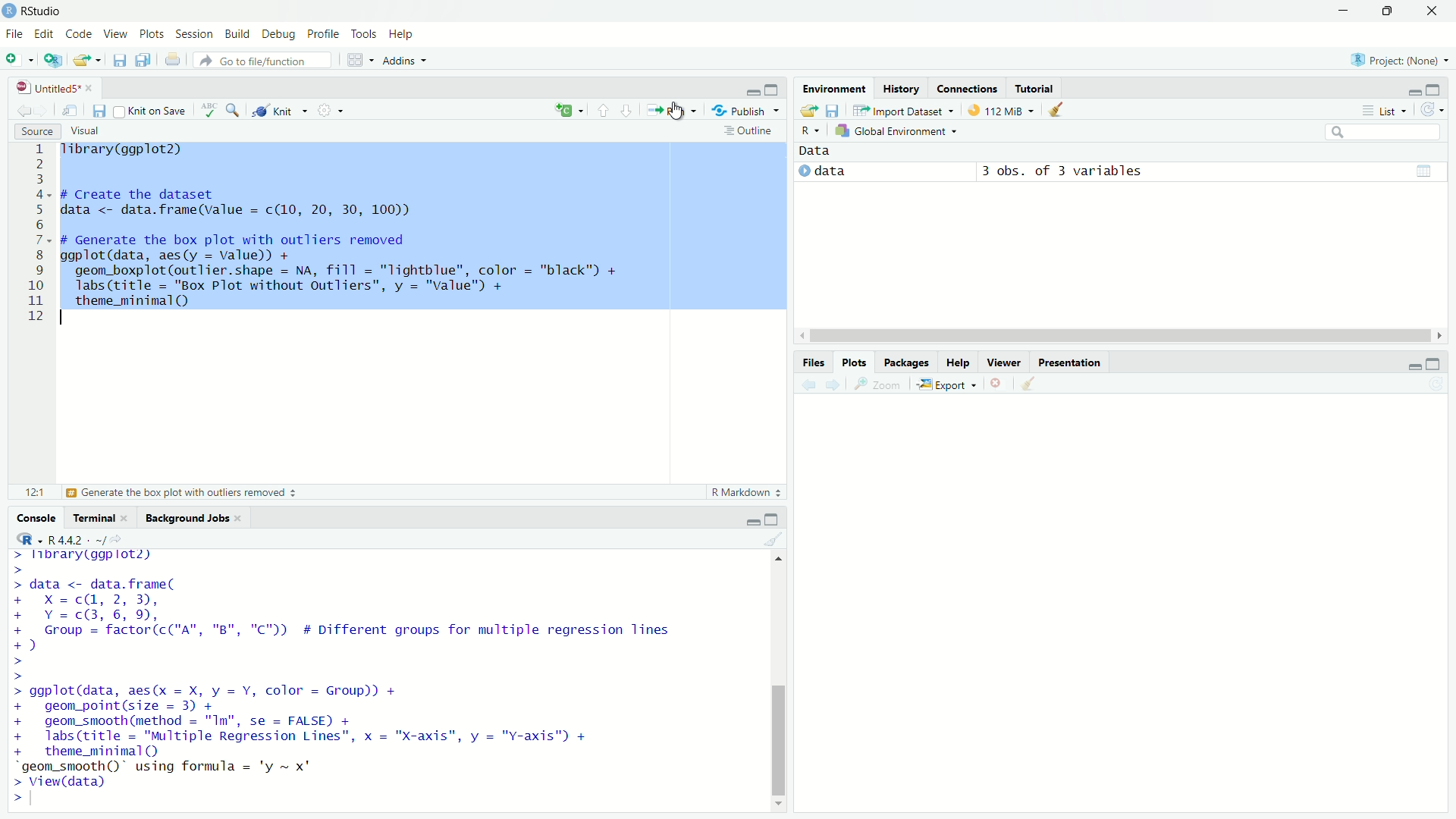 The height and width of the screenshot is (819, 1456). What do you see at coordinates (31, 491) in the screenshot?
I see `7:46` at bounding box center [31, 491].